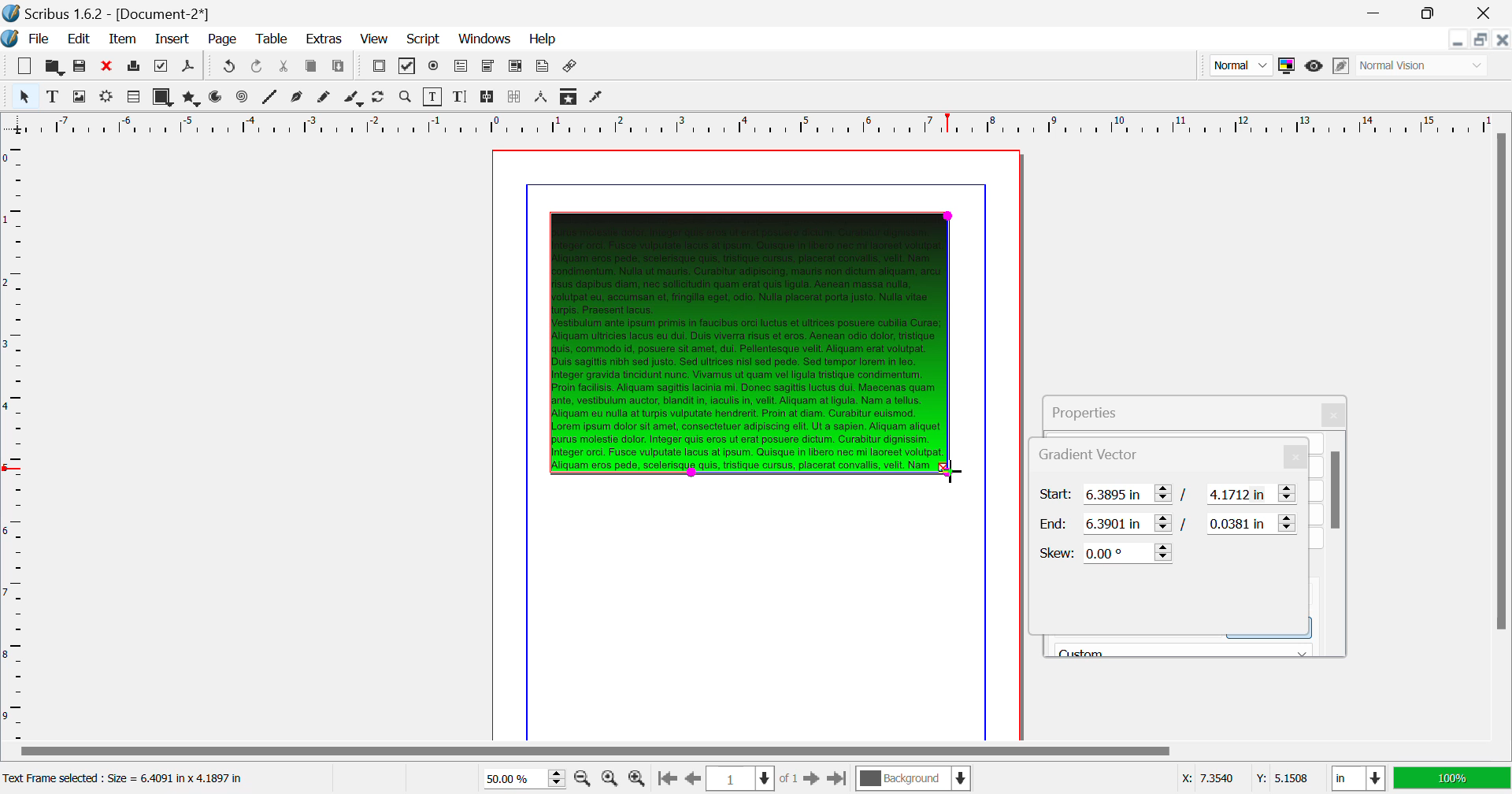  Describe the element at coordinates (379, 68) in the screenshot. I see `Pdf Push Button` at that location.